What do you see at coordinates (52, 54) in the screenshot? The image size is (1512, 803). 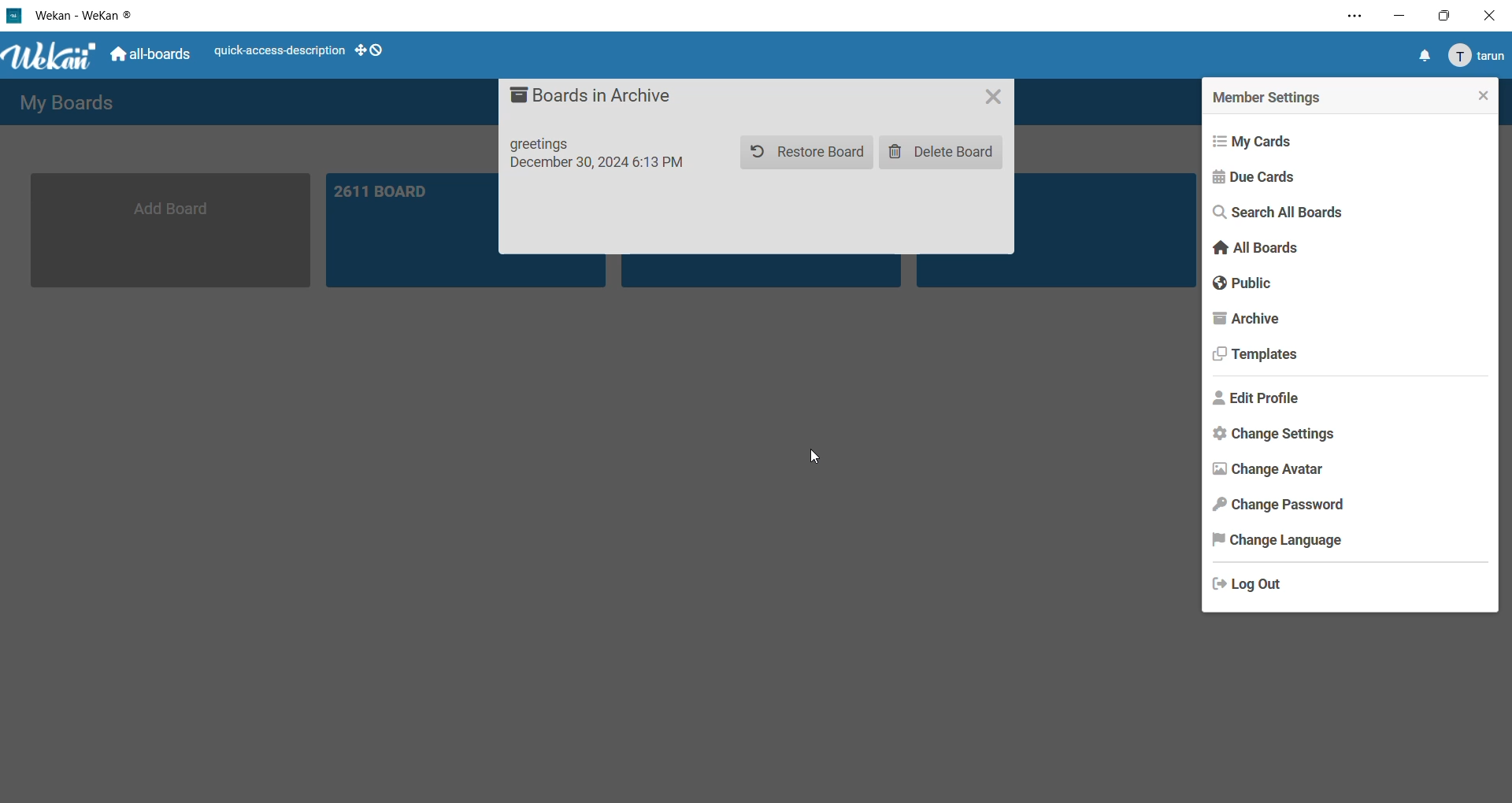 I see `Wekan` at bounding box center [52, 54].